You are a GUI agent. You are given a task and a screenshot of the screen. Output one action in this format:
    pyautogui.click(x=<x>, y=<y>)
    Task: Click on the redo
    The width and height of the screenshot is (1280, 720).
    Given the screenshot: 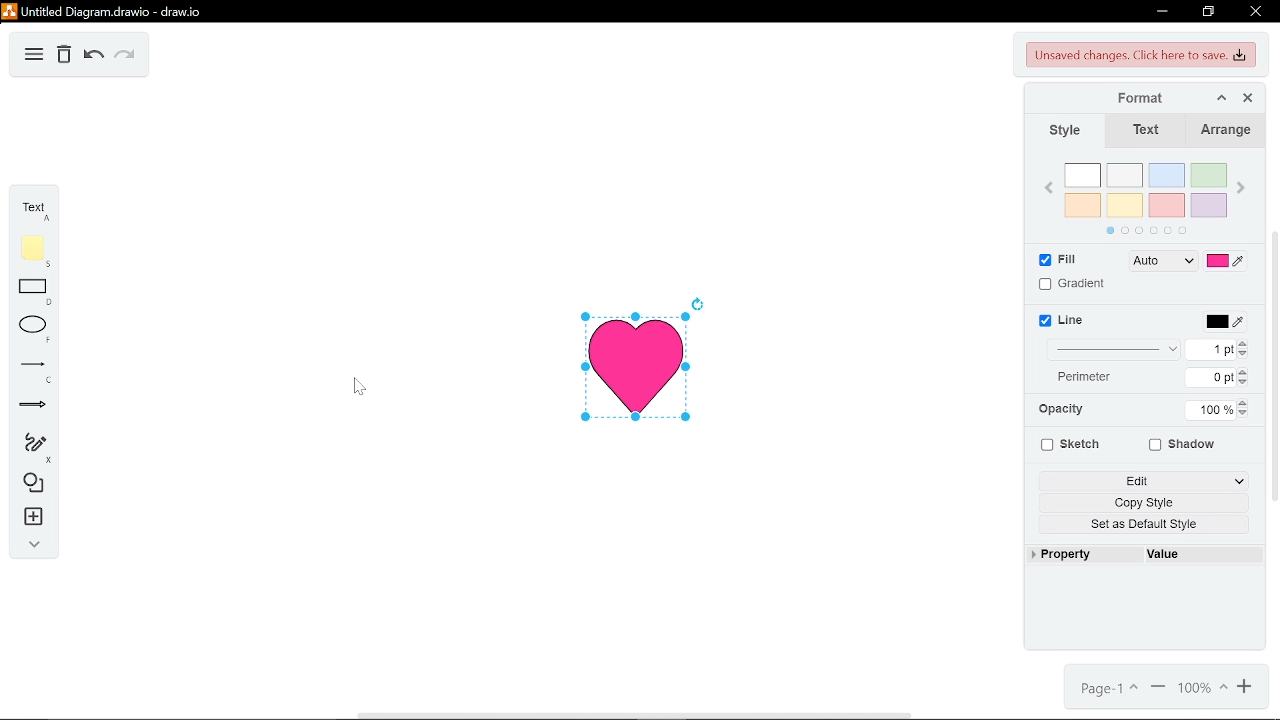 What is the action you would take?
    pyautogui.click(x=123, y=56)
    